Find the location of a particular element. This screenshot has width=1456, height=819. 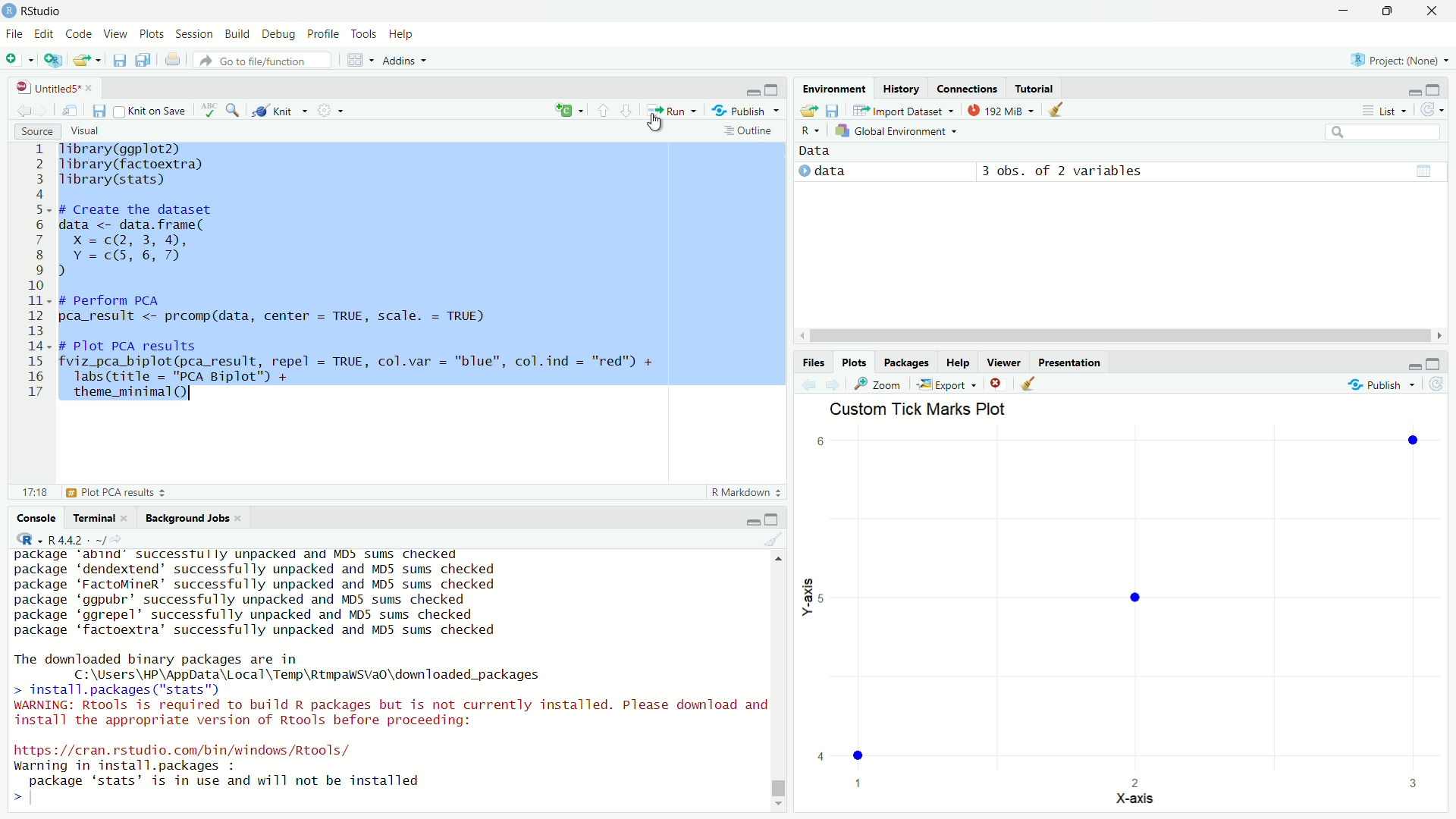

profile is located at coordinates (325, 35).